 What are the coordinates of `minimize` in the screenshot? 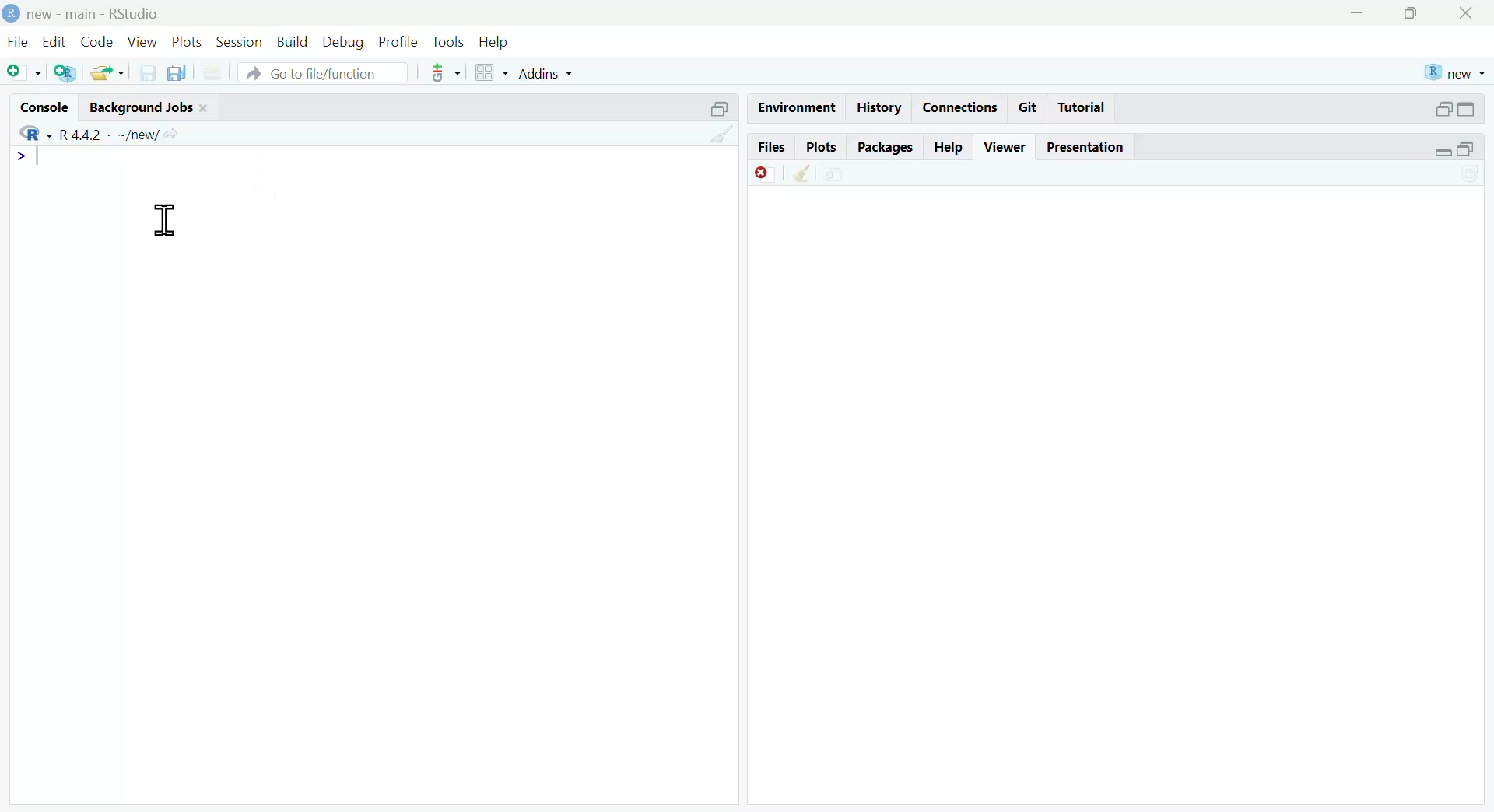 It's located at (1366, 16).